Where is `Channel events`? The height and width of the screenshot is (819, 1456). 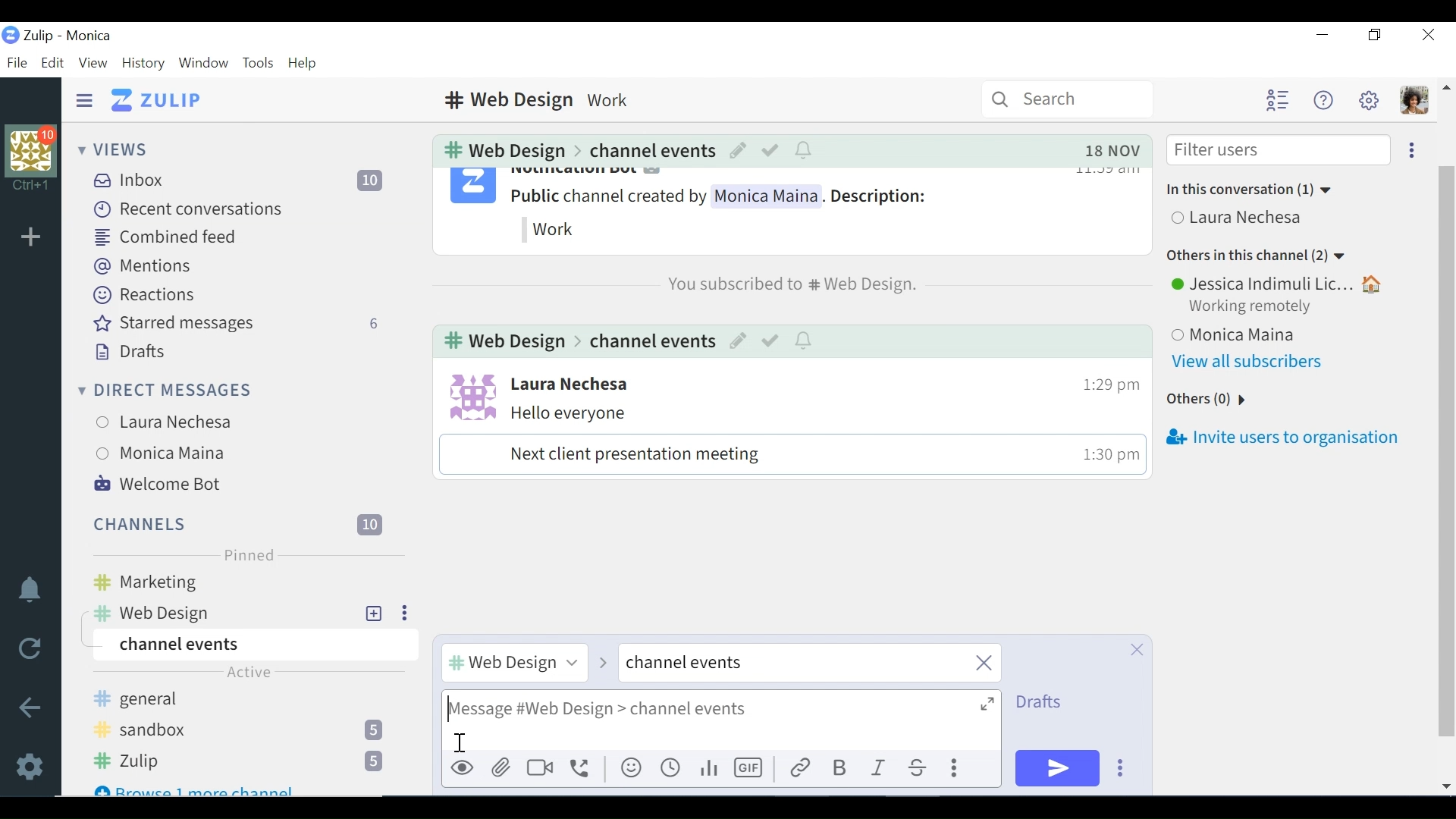
Channel events is located at coordinates (649, 341).